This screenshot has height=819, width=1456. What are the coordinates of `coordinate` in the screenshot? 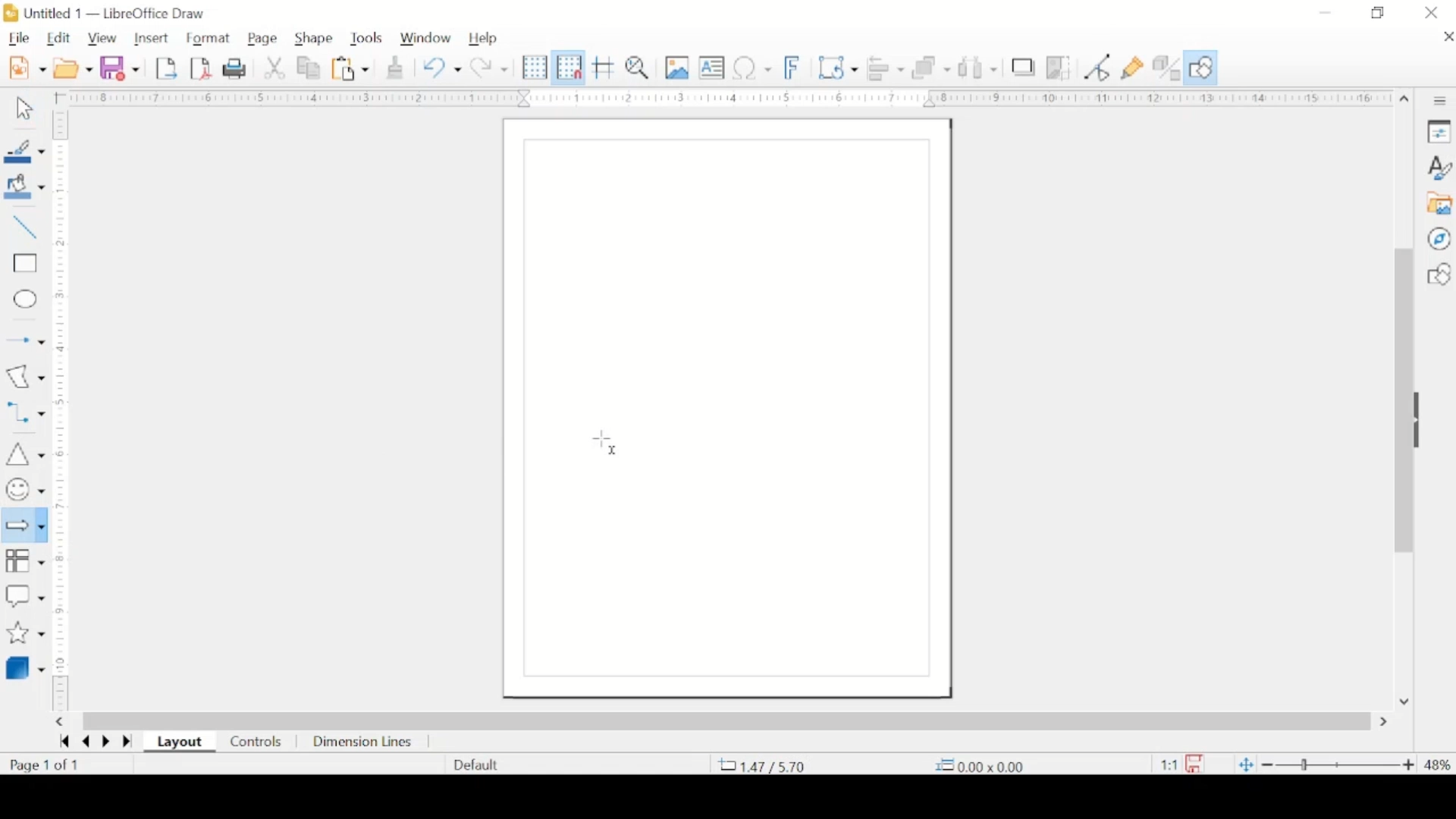 It's located at (980, 765).